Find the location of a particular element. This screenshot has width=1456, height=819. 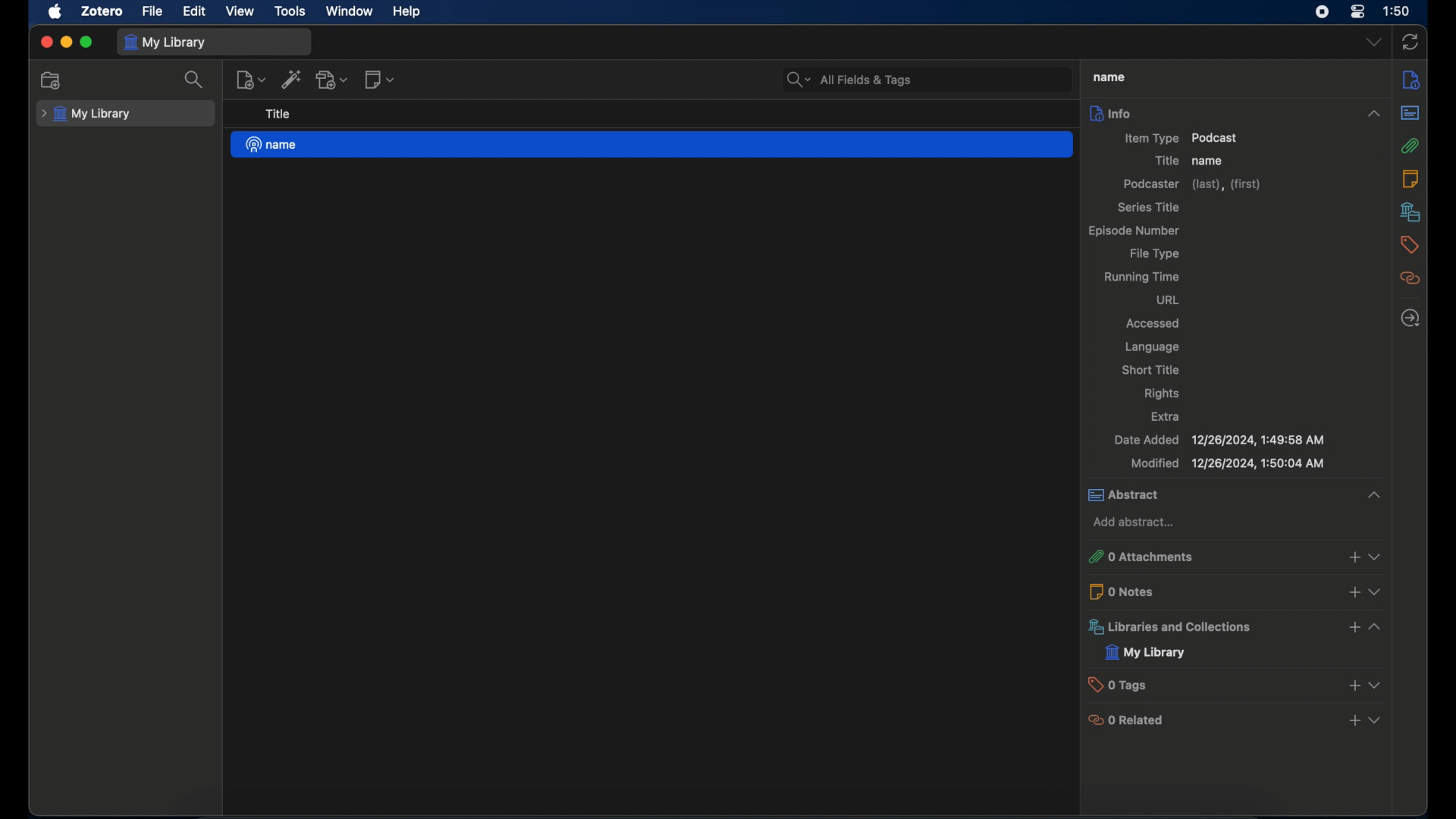

notes is located at coordinates (1414, 178).